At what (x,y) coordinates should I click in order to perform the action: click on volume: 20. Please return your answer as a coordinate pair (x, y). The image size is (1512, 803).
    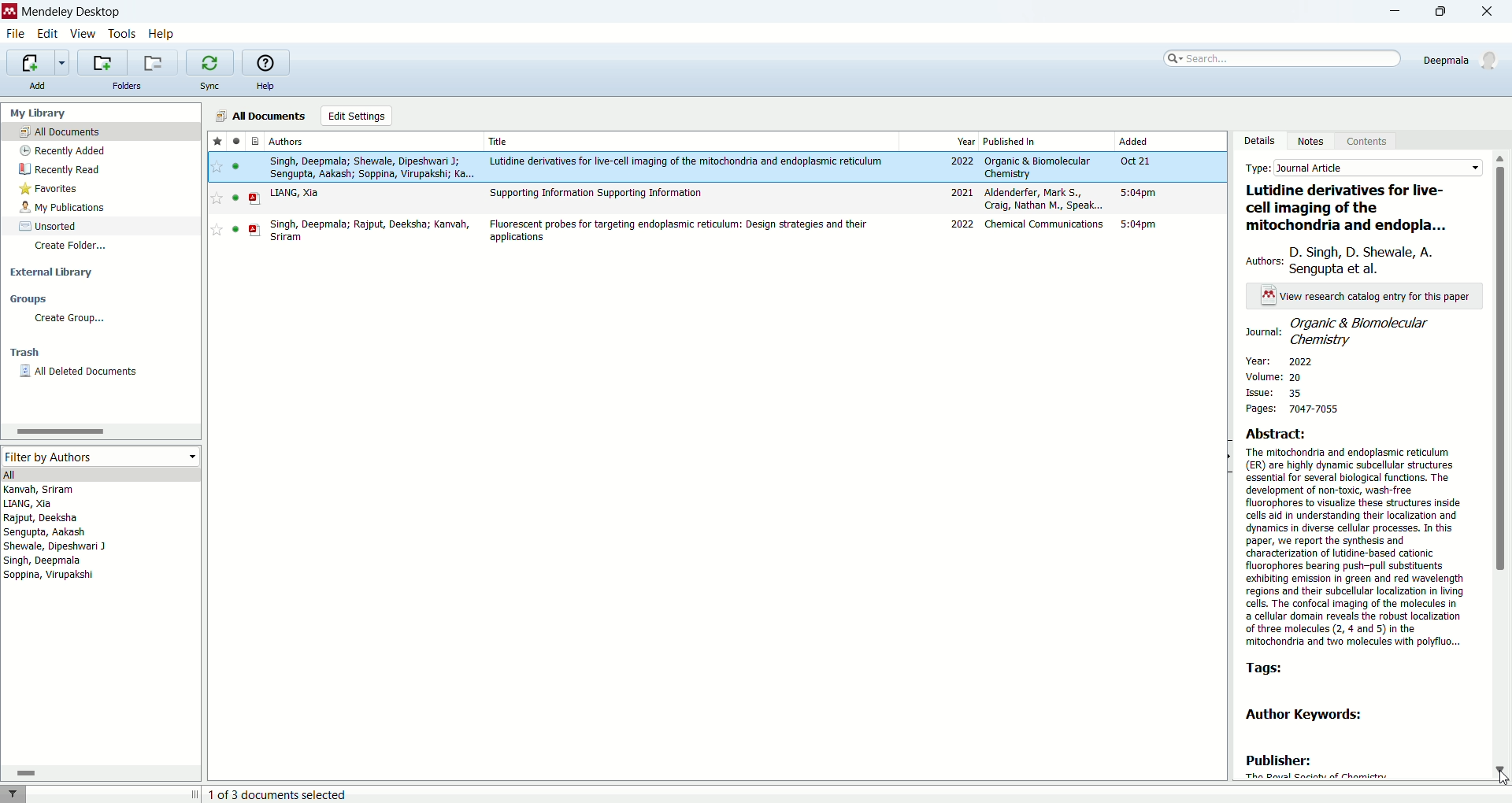
    Looking at the image, I should click on (1295, 377).